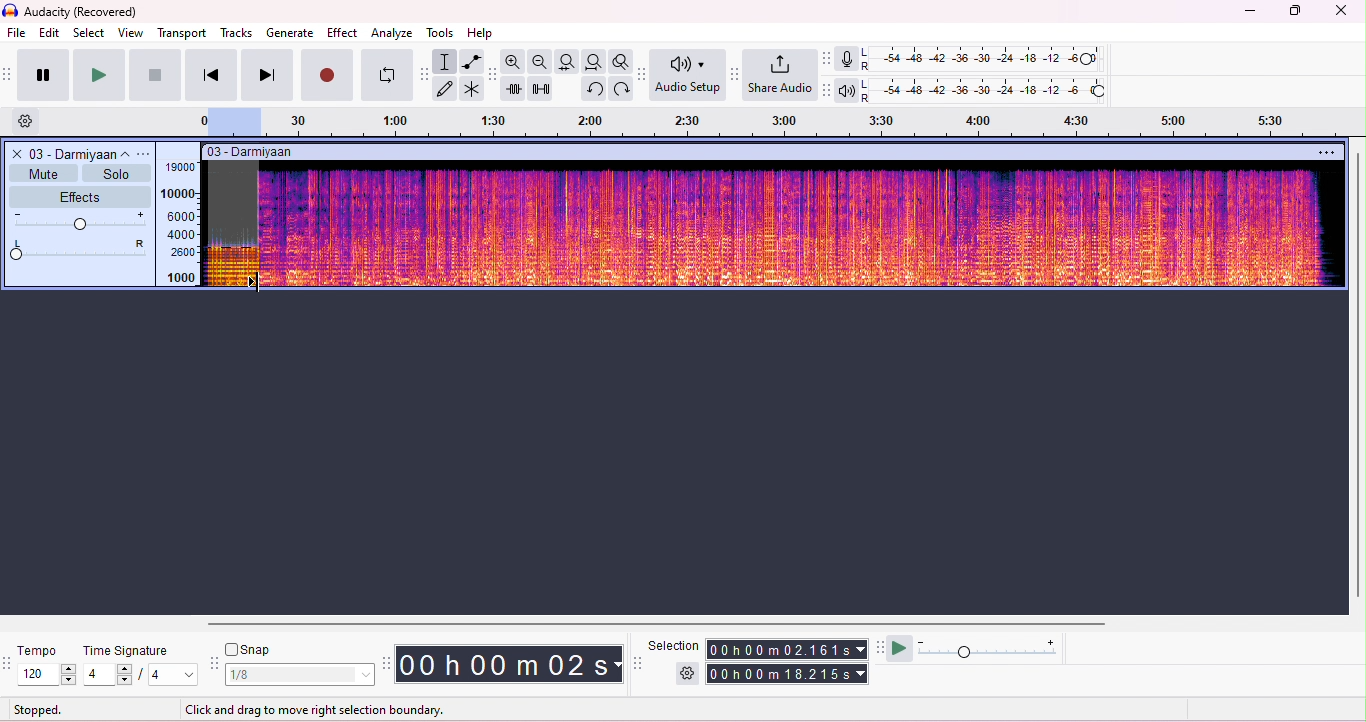 This screenshot has height=722, width=1366. What do you see at coordinates (131, 34) in the screenshot?
I see `view` at bounding box center [131, 34].